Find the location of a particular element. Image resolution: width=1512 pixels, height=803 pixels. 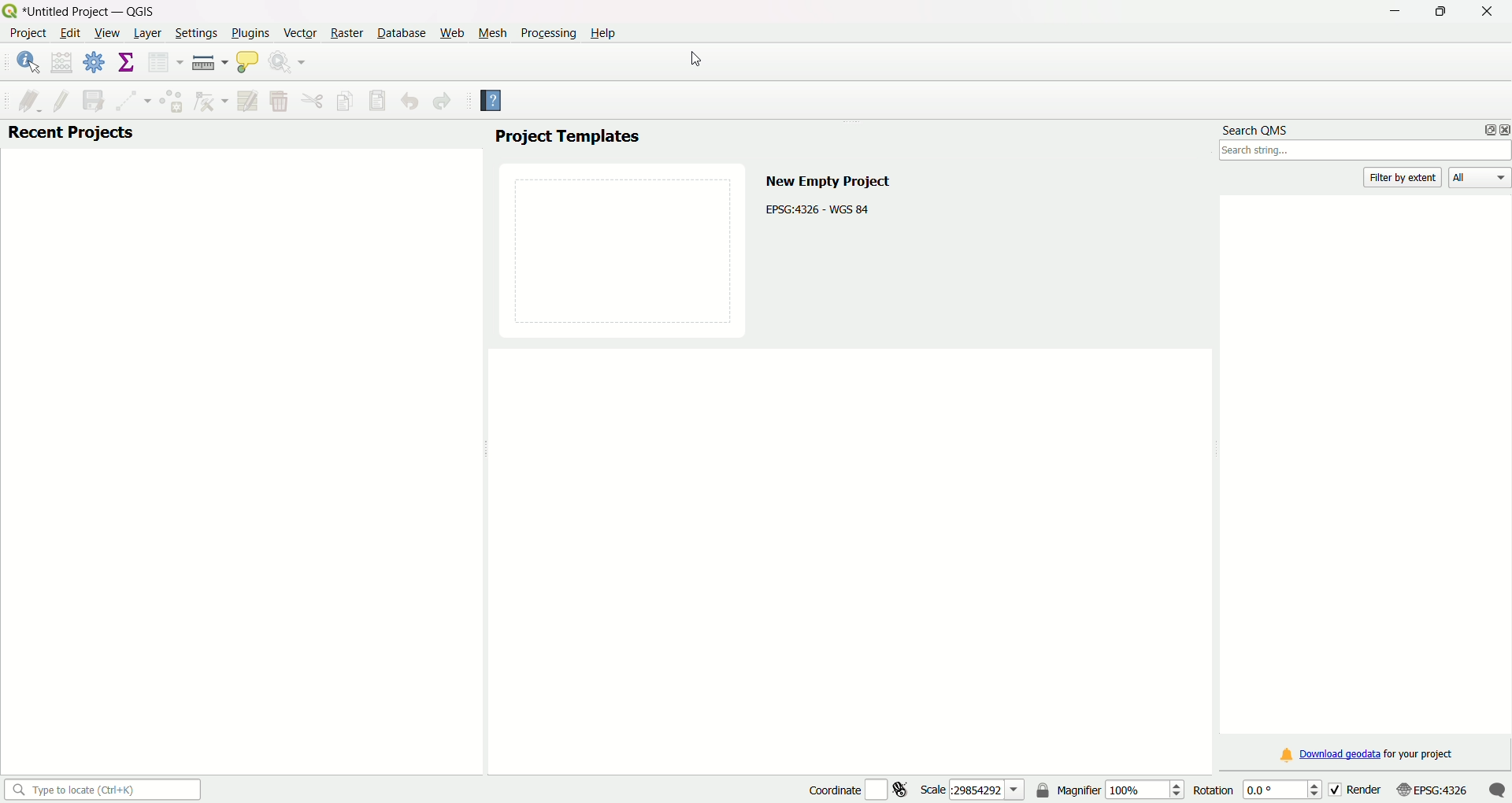

EPSG:4326-WGS 84 is located at coordinates (819, 208).